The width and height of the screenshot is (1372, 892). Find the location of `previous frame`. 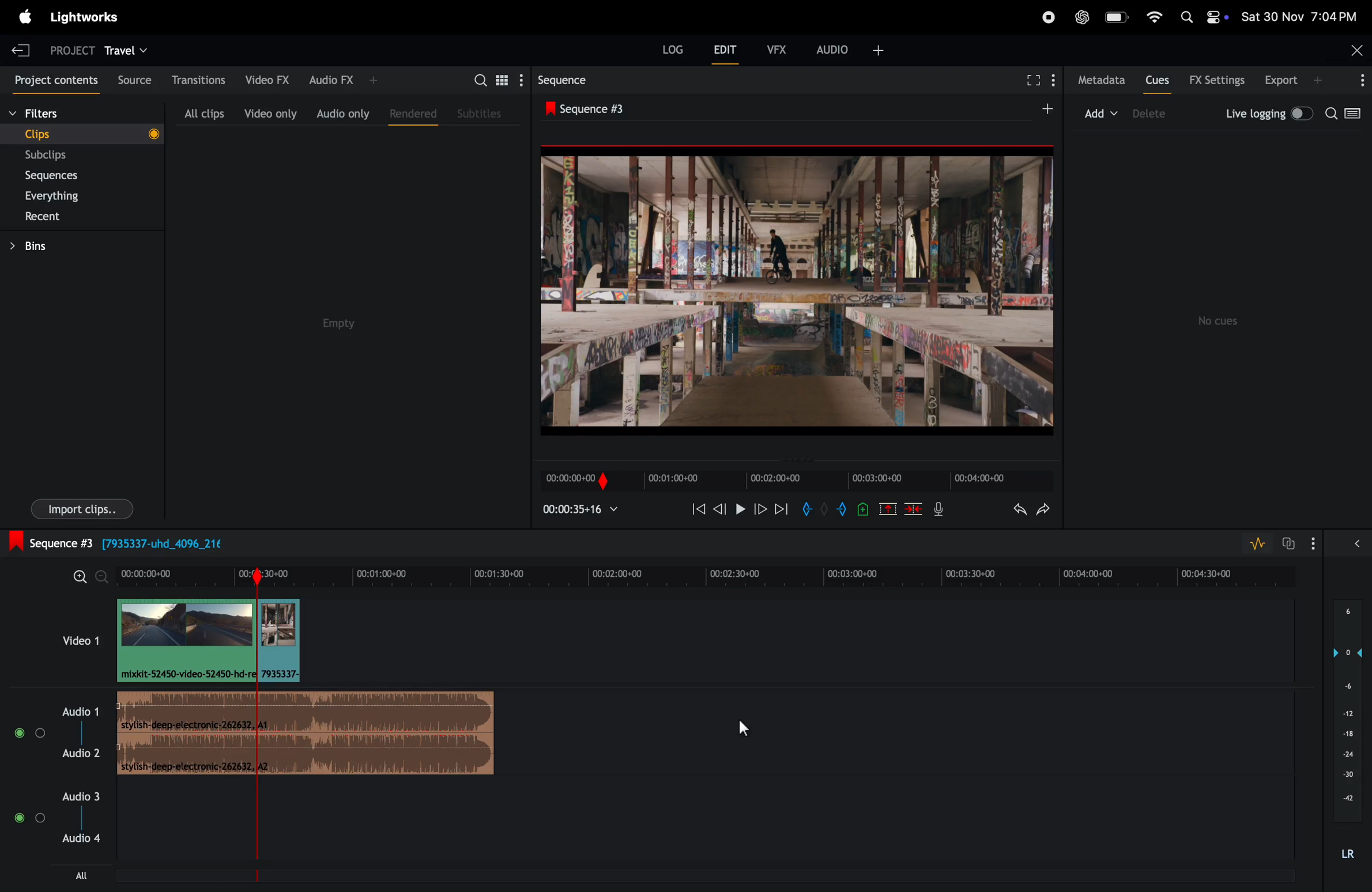

previous frame is located at coordinates (718, 511).